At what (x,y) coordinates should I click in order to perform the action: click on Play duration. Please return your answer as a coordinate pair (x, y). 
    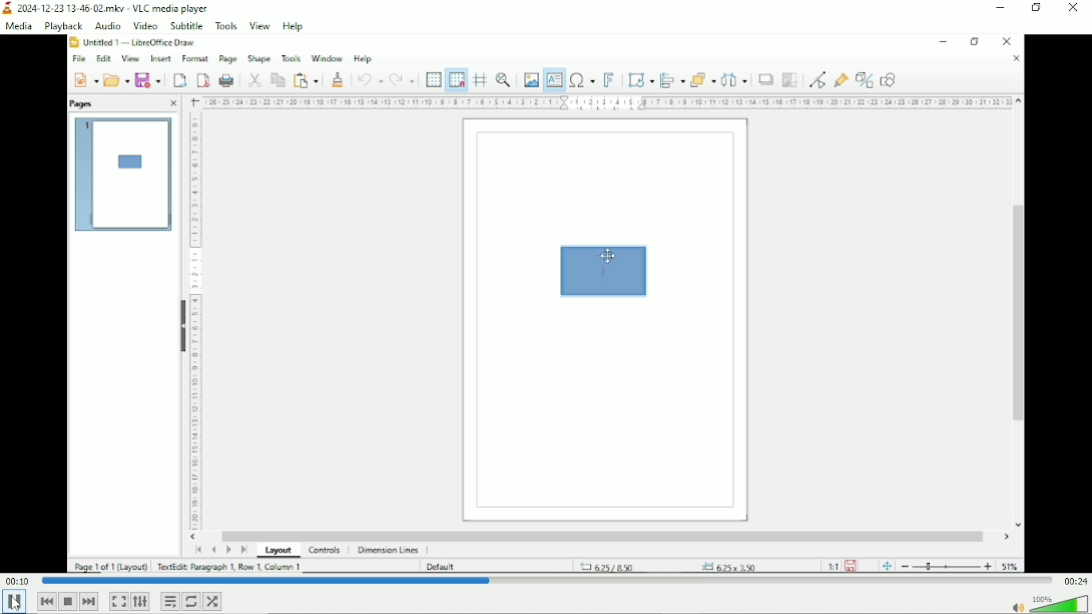
    Looking at the image, I should click on (547, 581).